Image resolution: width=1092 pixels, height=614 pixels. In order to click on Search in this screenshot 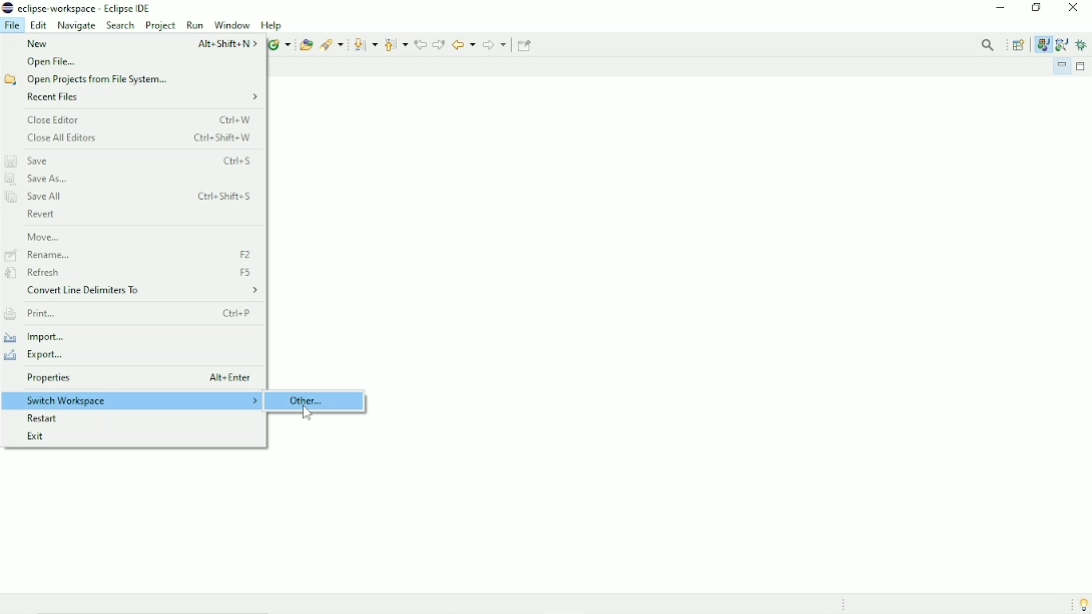, I will do `click(332, 43)`.